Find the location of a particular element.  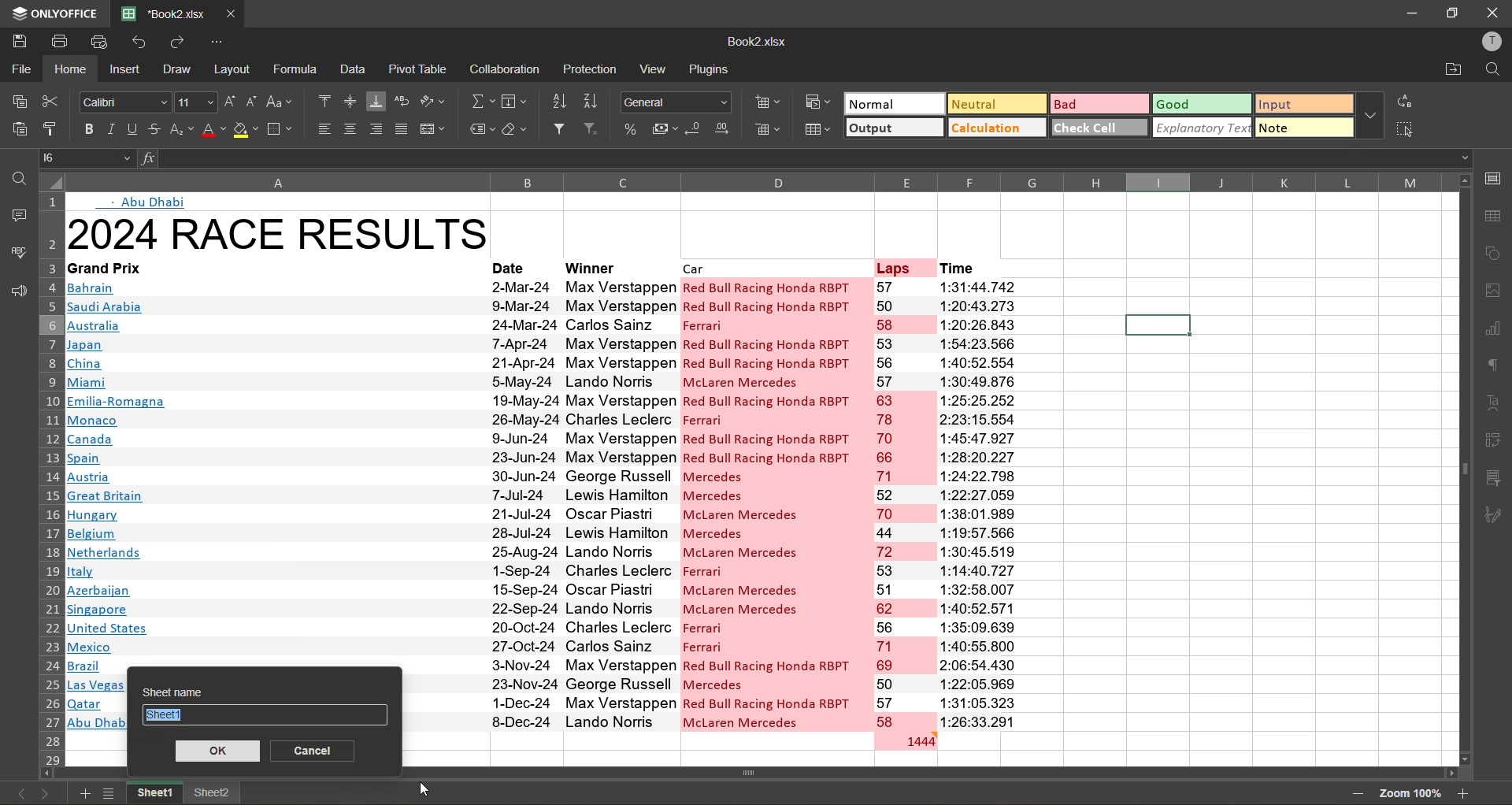

view is located at coordinates (652, 71).